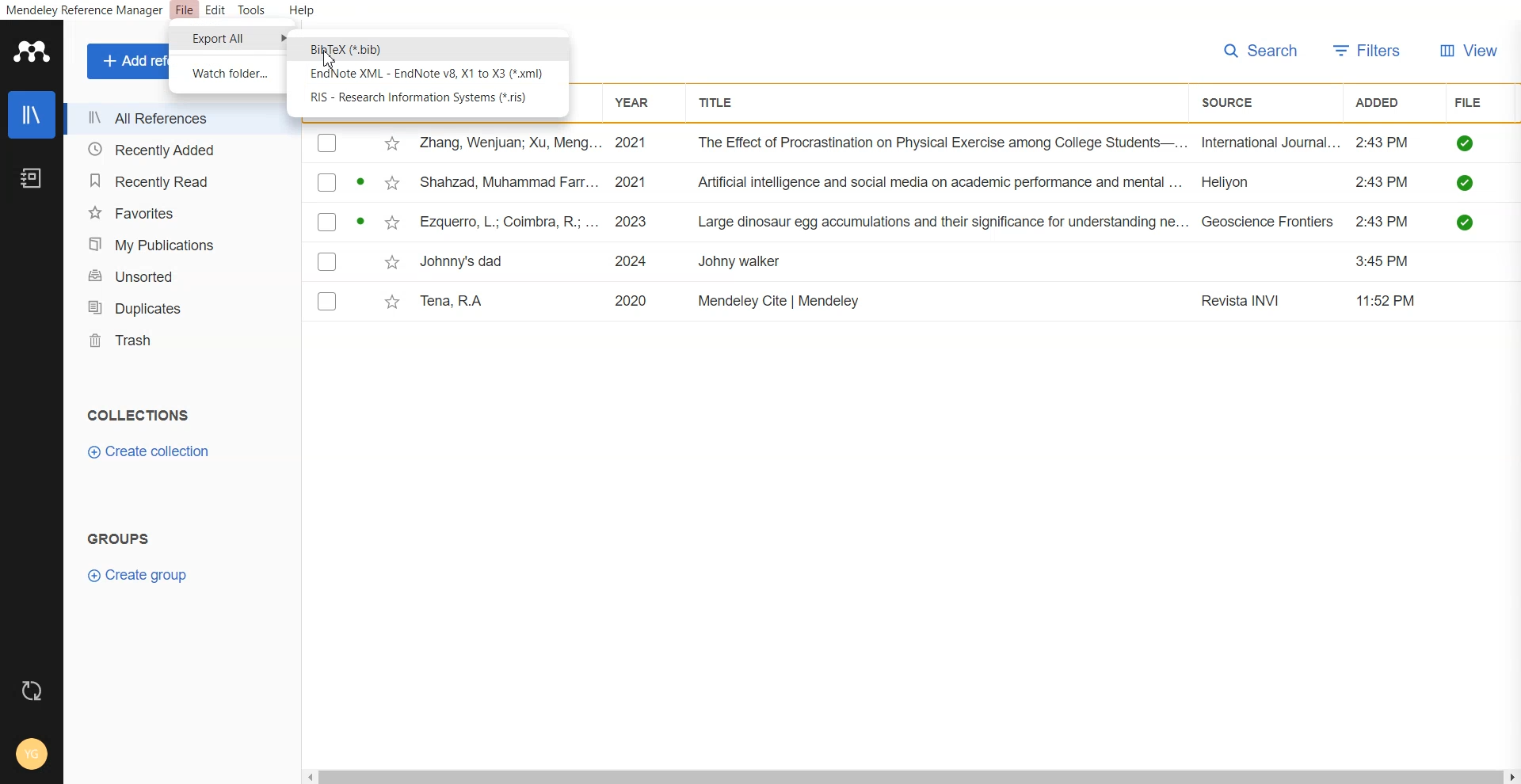  What do you see at coordinates (174, 119) in the screenshot?
I see `All References` at bounding box center [174, 119].